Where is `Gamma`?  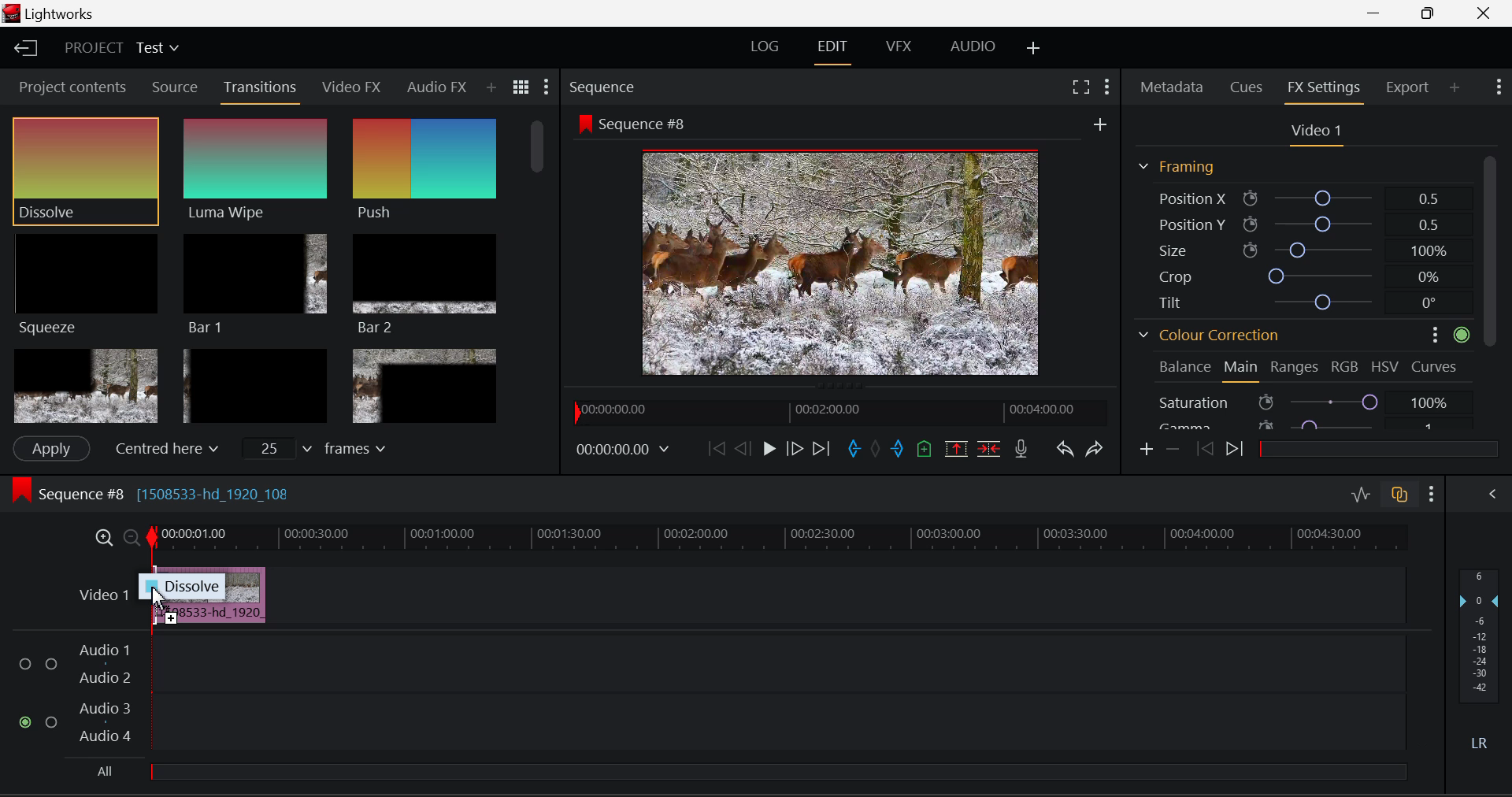 Gamma is located at coordinates (1298, 424).